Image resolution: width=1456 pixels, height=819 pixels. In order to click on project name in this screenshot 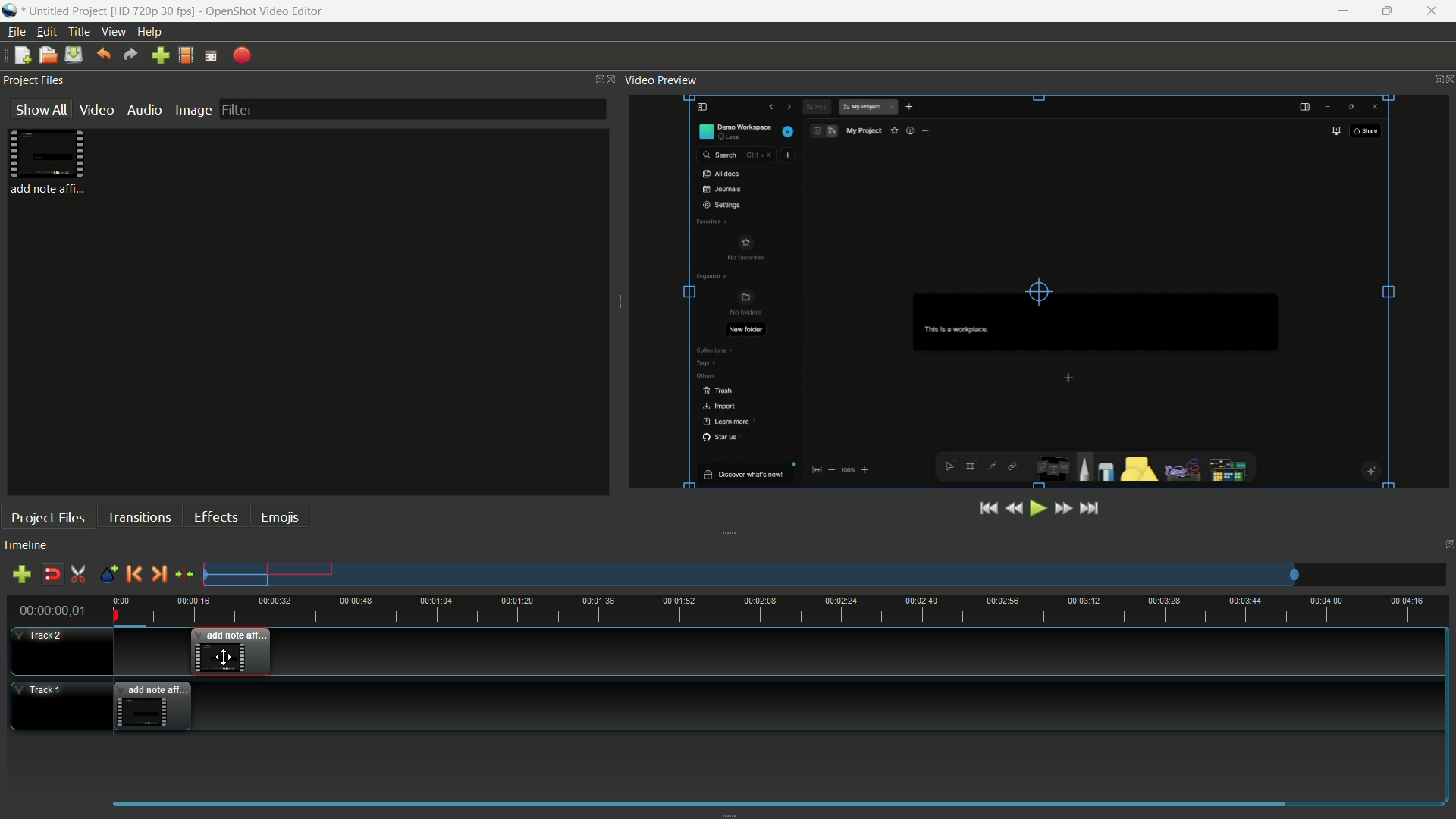, I will do `click(111, 11)`.